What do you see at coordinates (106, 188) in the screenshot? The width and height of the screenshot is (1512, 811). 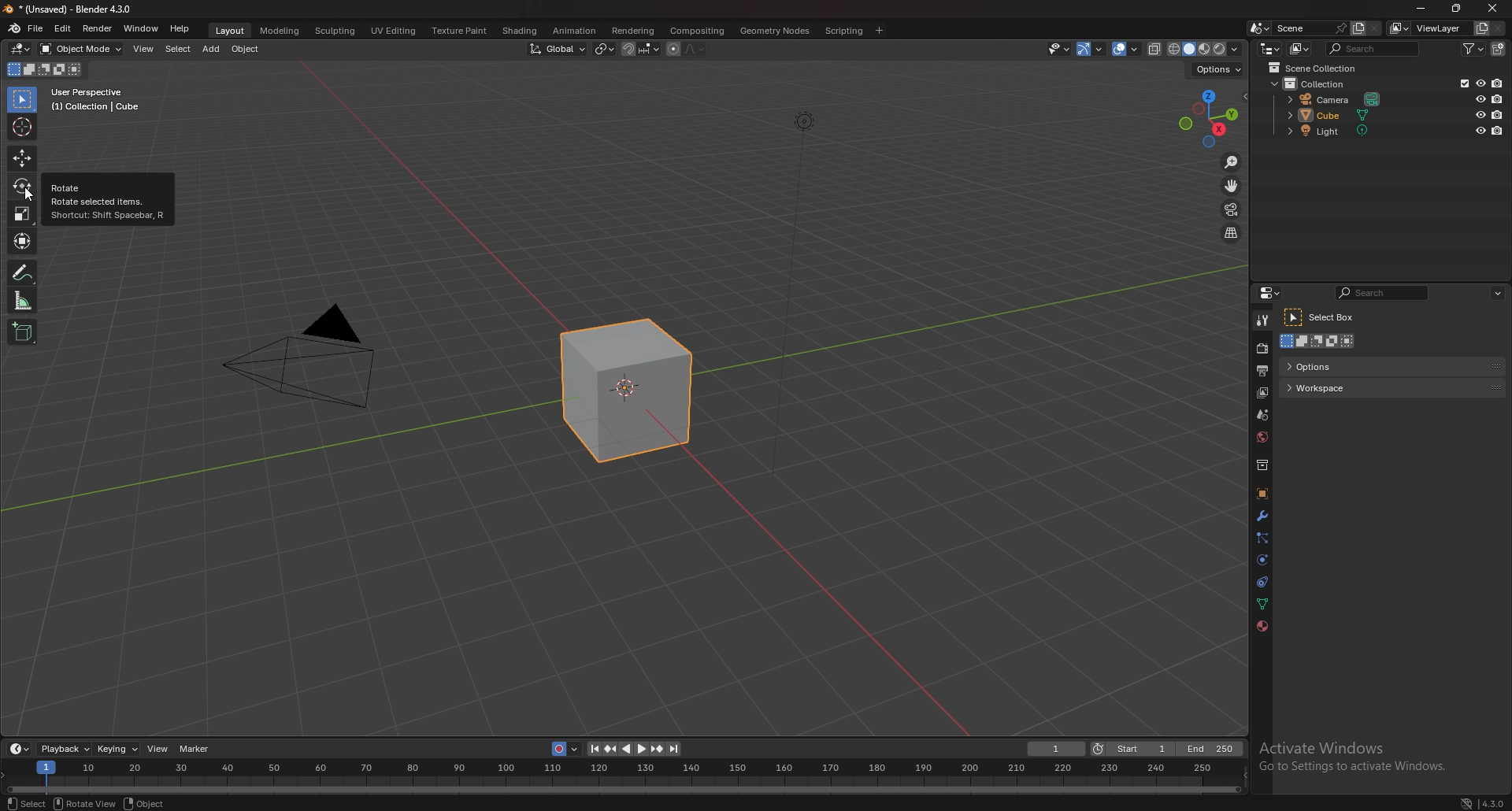 I see `Rotate` at bounding box center [106, 188].